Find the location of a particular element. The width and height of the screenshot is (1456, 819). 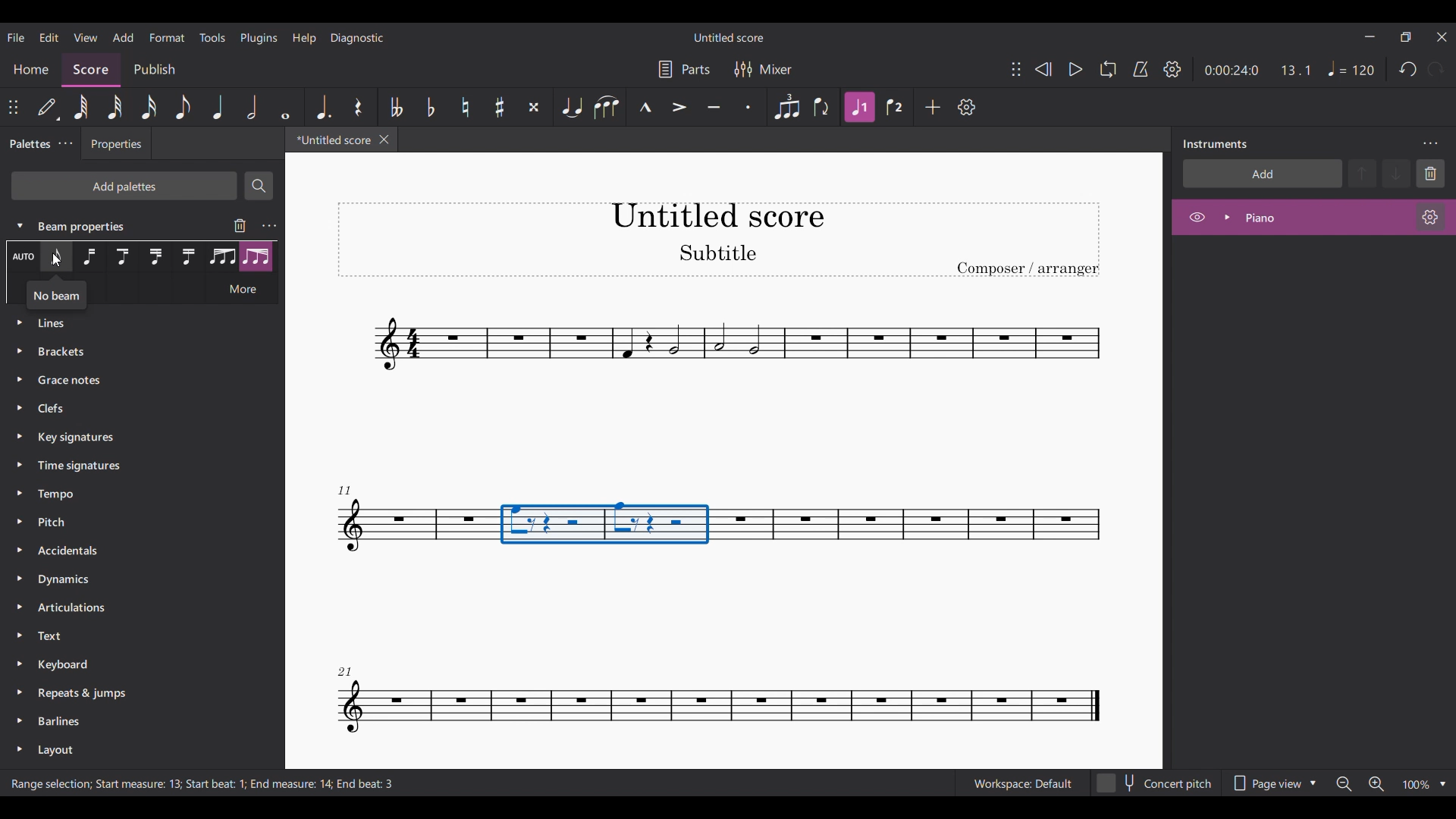

Workspace default is located at coordinates (1021, 782).